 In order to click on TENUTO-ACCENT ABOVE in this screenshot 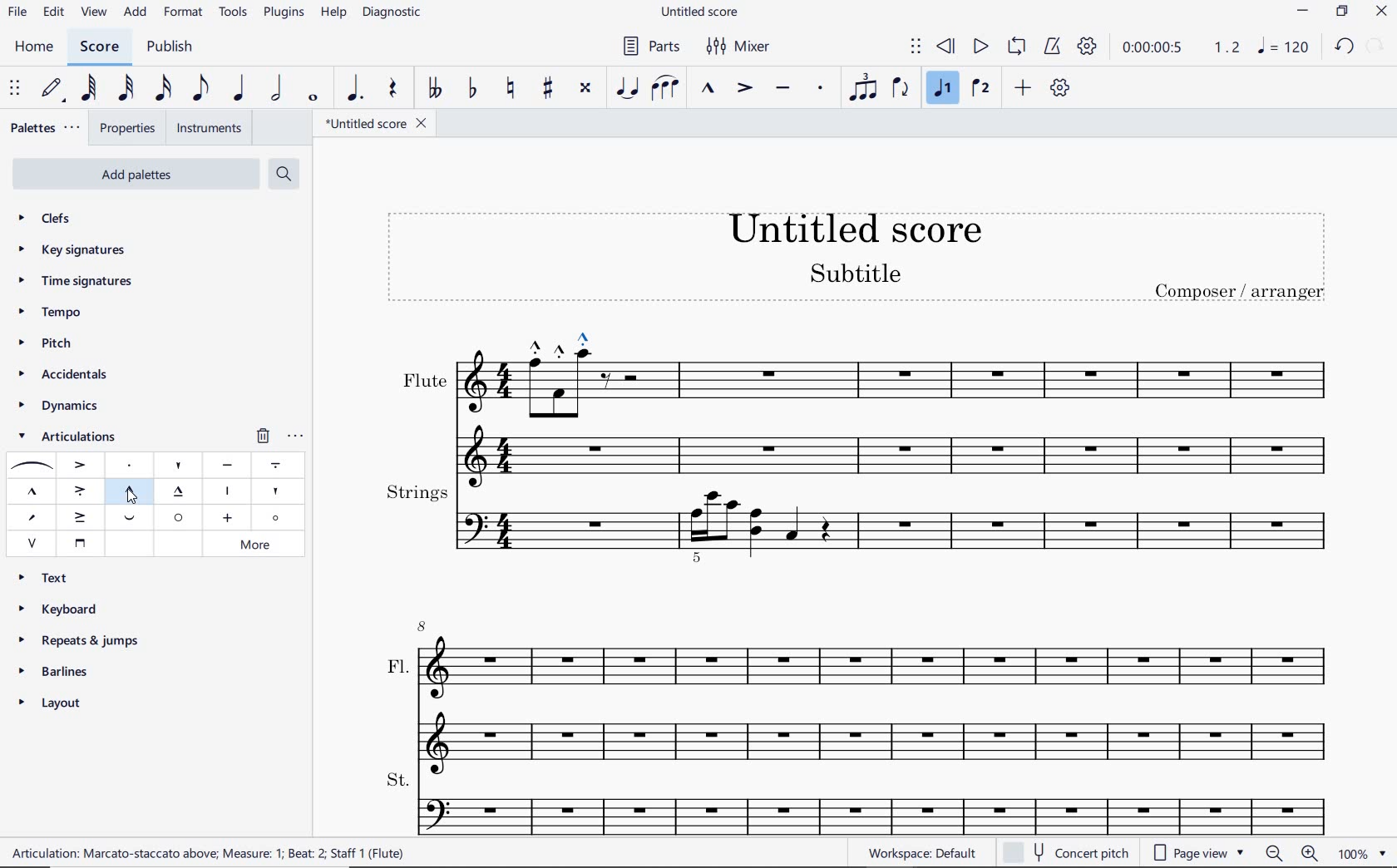, I will do `click(81, 515)`.